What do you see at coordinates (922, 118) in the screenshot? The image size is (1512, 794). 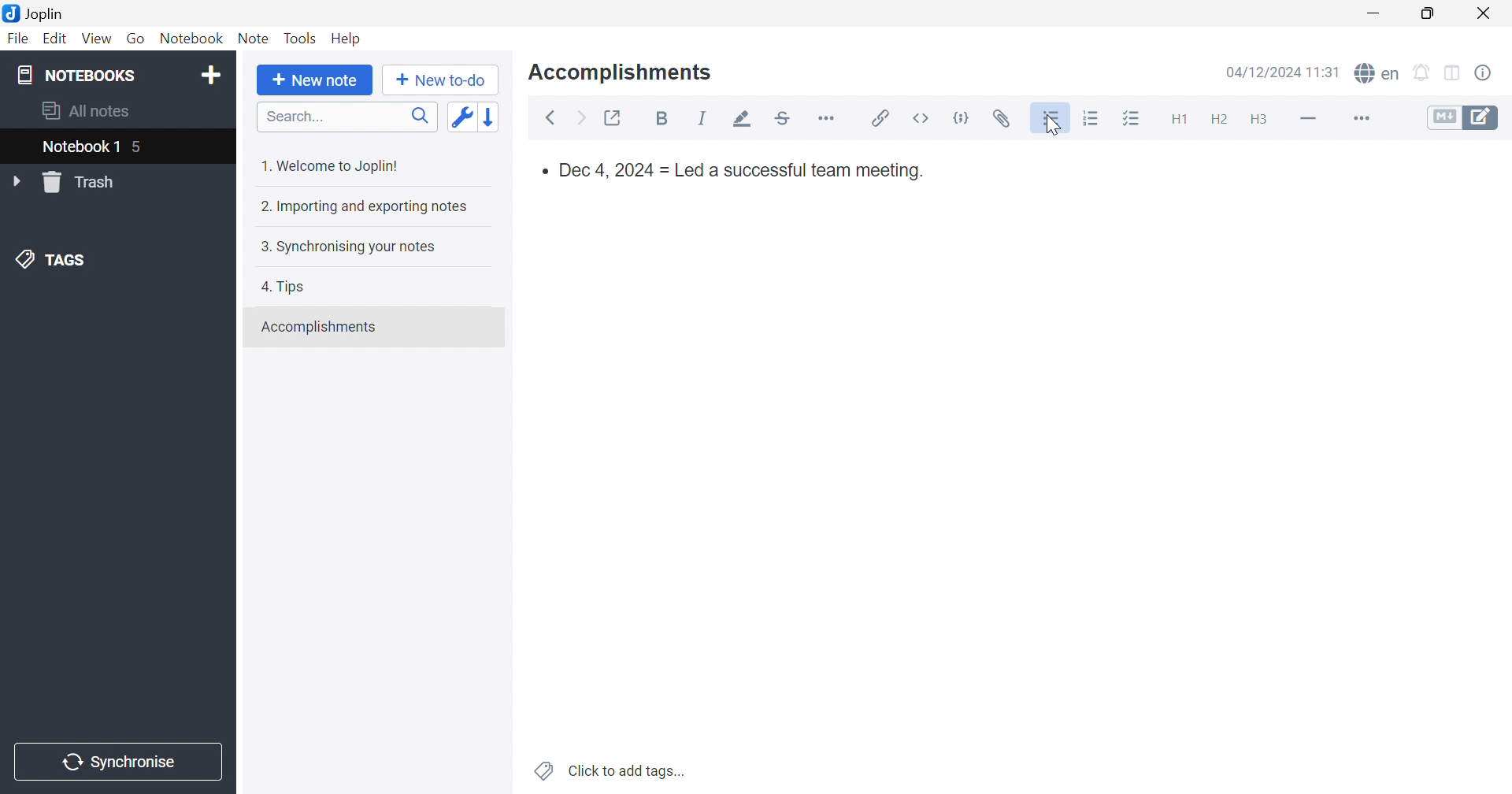 I see `inline code` at bounding box center [922, 118].